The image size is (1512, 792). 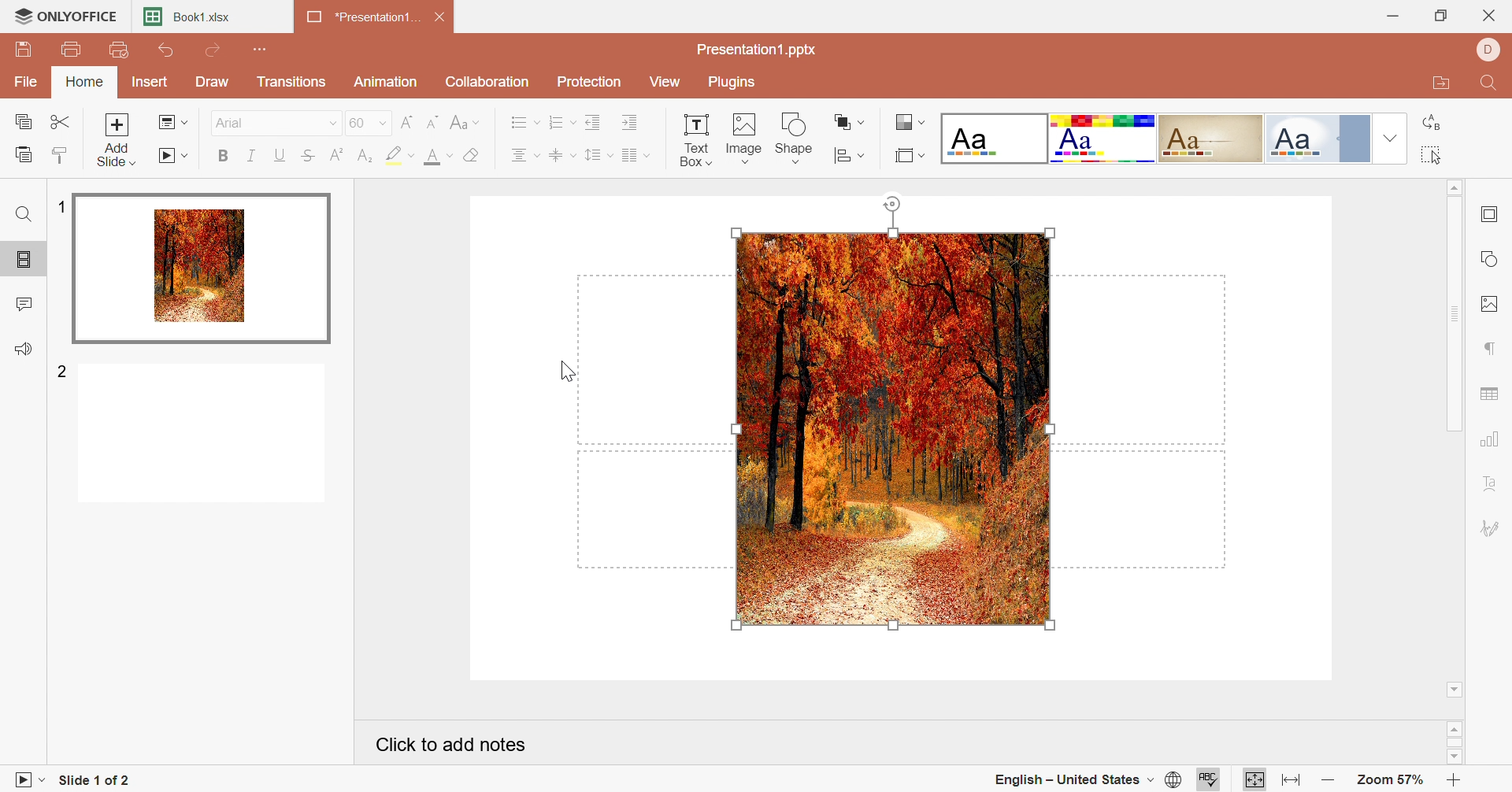 I want to click on Clear style, so click(x=472, y=154).